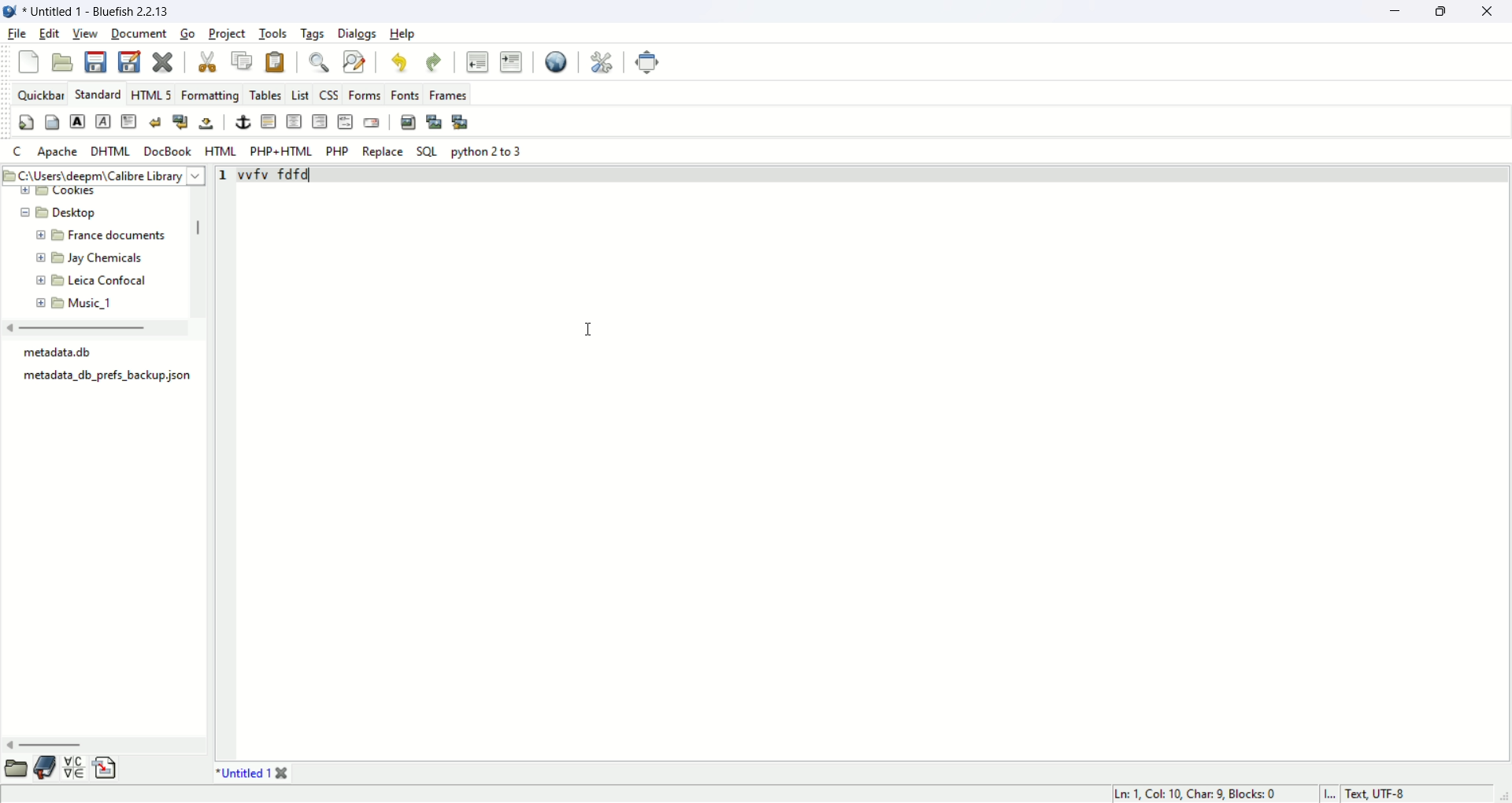 Image resolution: width=1512 pixels, height=803 pixels. What do you see at coordinates (252, 773) in the screenshot?
I see `*Untitled 1` at bounding box center [252, 773].